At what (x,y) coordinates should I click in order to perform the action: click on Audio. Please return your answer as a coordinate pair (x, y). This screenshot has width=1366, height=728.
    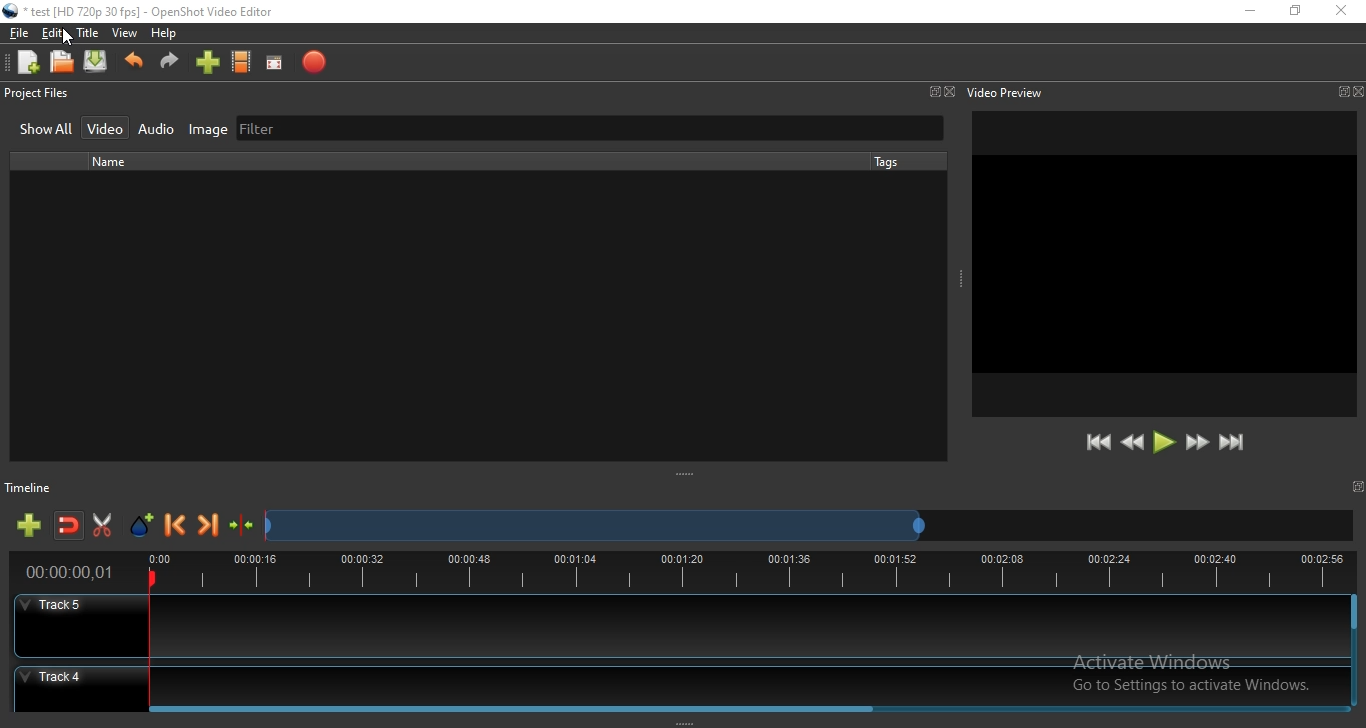
    Looking at the image, I should click on (157, 129).